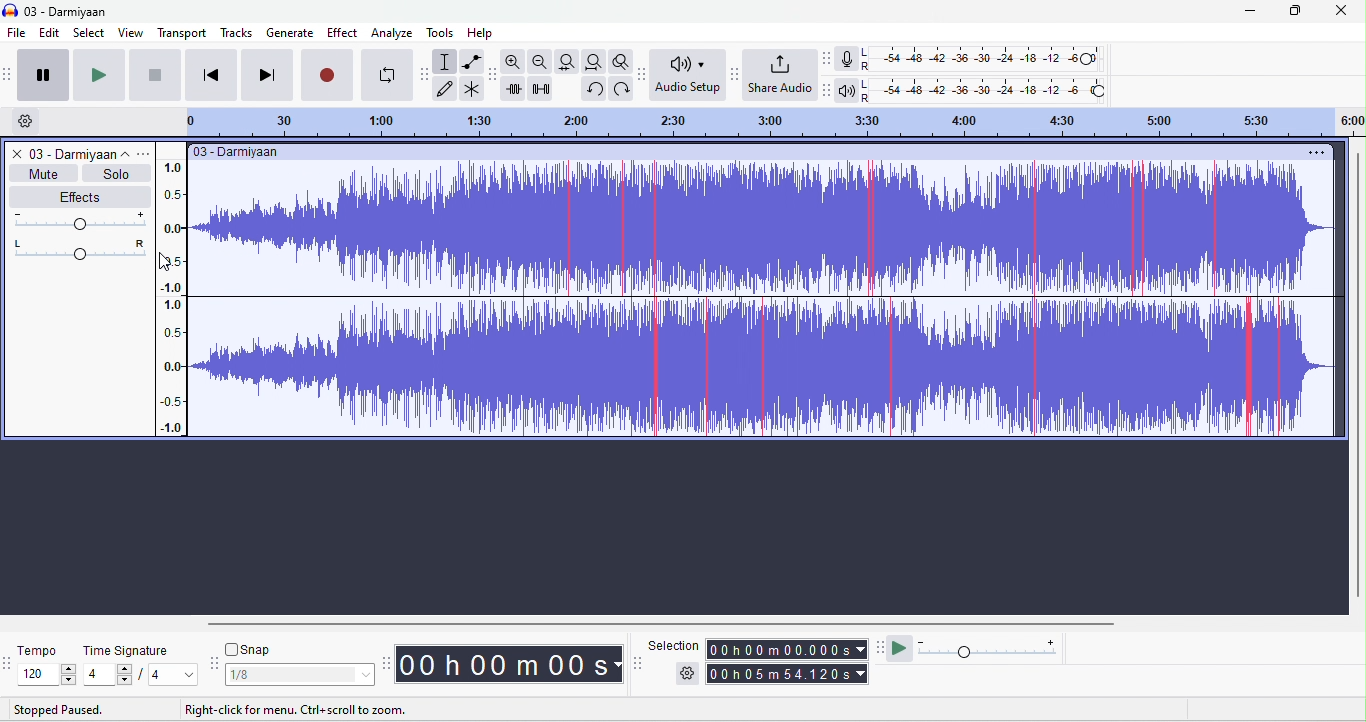 The width and height of the screenshot is (1366, 722). I want to click on select snapping, so click(301, 675).